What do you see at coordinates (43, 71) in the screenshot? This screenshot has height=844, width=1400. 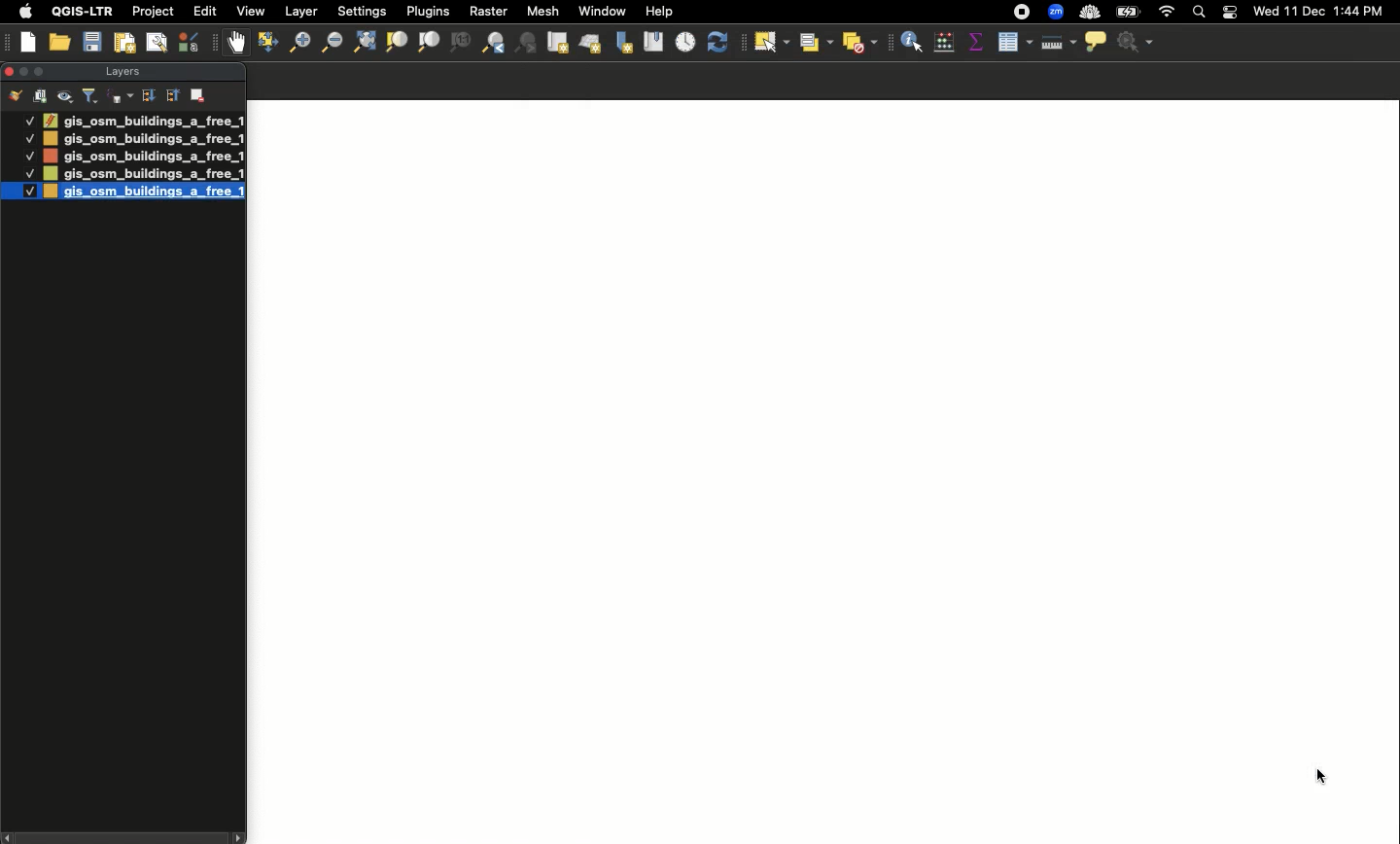 I see `Maximize` at bounding box center [43, 71].